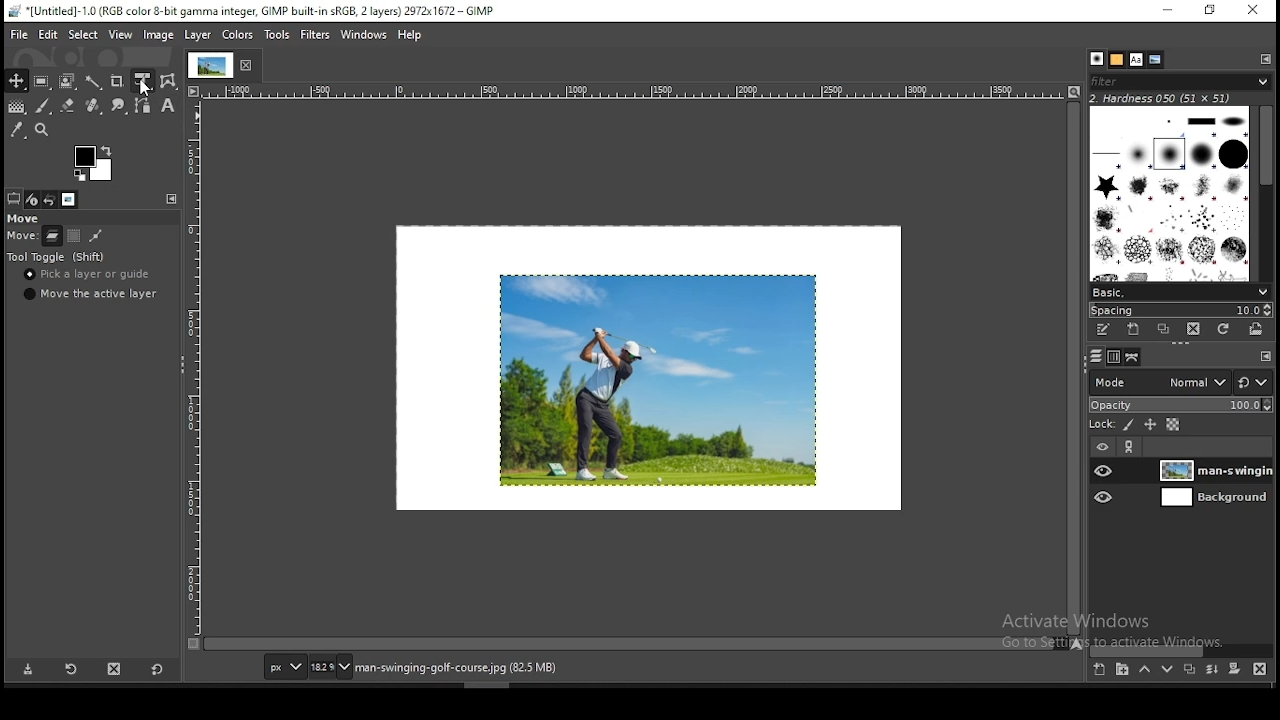 Image resolution: width=1280 pixels, height=720 pixels. What do you see at coordinates (1260, 668) in the screenshot?
I see `delete layer` at bounding box center [1260, 668].